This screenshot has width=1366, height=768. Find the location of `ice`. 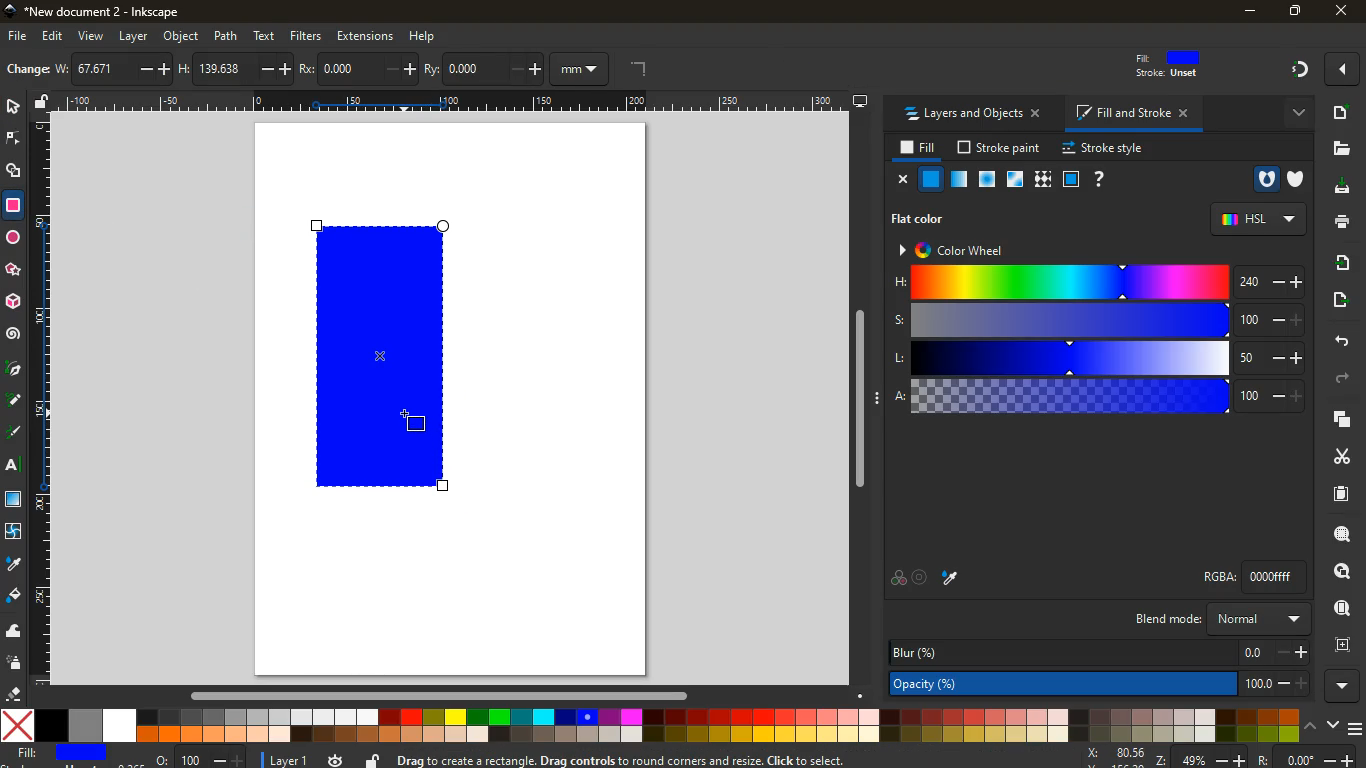

ice is located at coordinates (987, 178).